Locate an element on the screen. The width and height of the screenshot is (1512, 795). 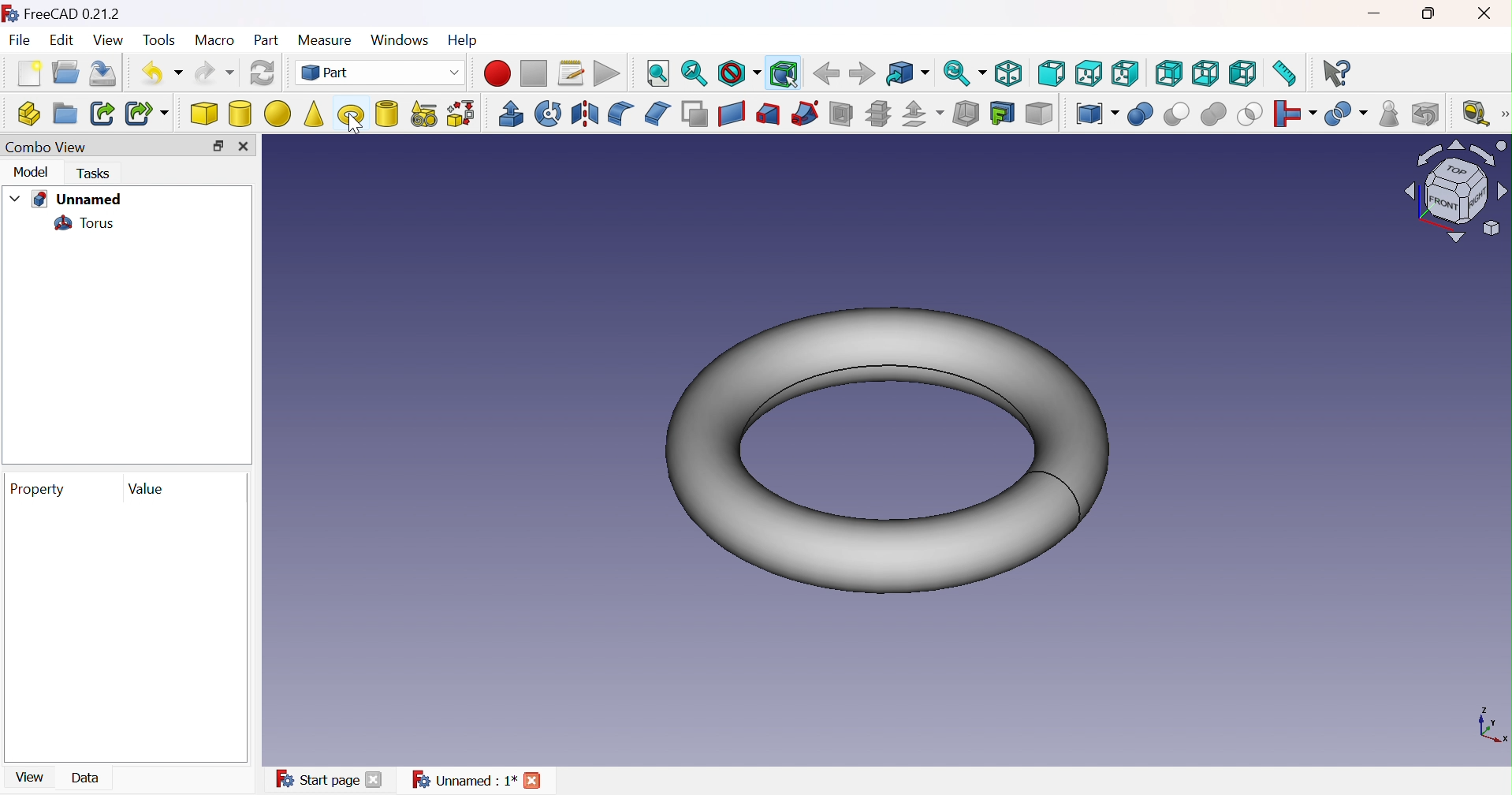
Create projection on surface is located at coordinates (1003, 114).